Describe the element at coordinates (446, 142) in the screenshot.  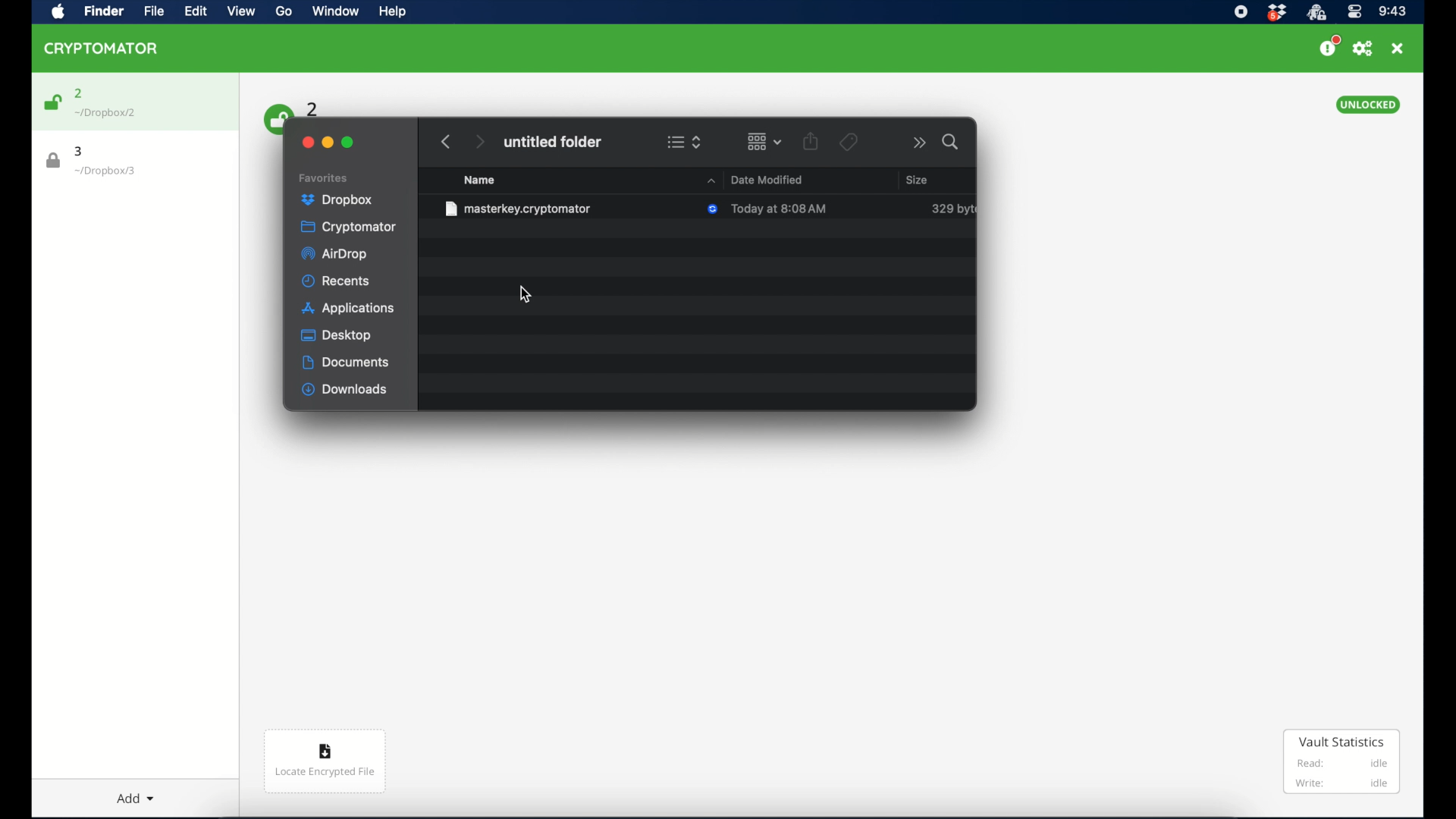
I see `previous` at that location.